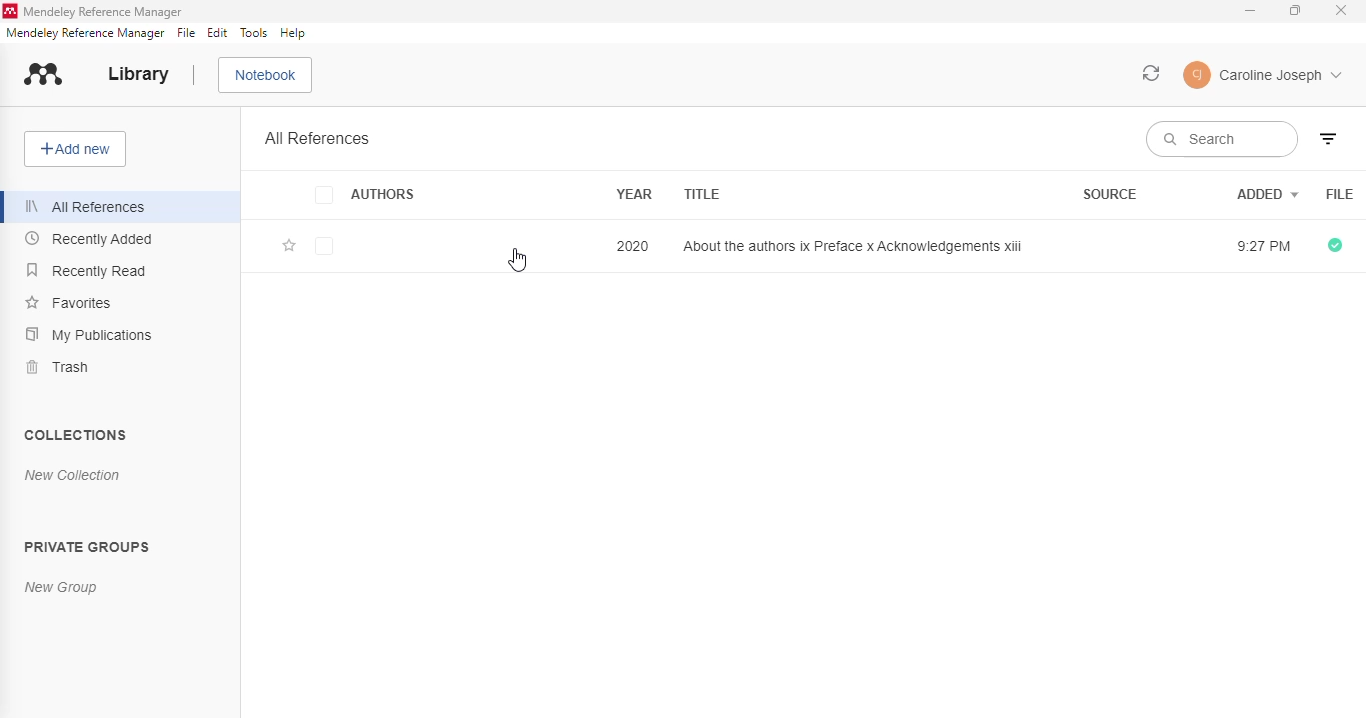 The height and width of the screenshot is (718, 1366). Describe the element at coordinates (1335, 245) in the screenshot. I see `all files downloaded` at that location.